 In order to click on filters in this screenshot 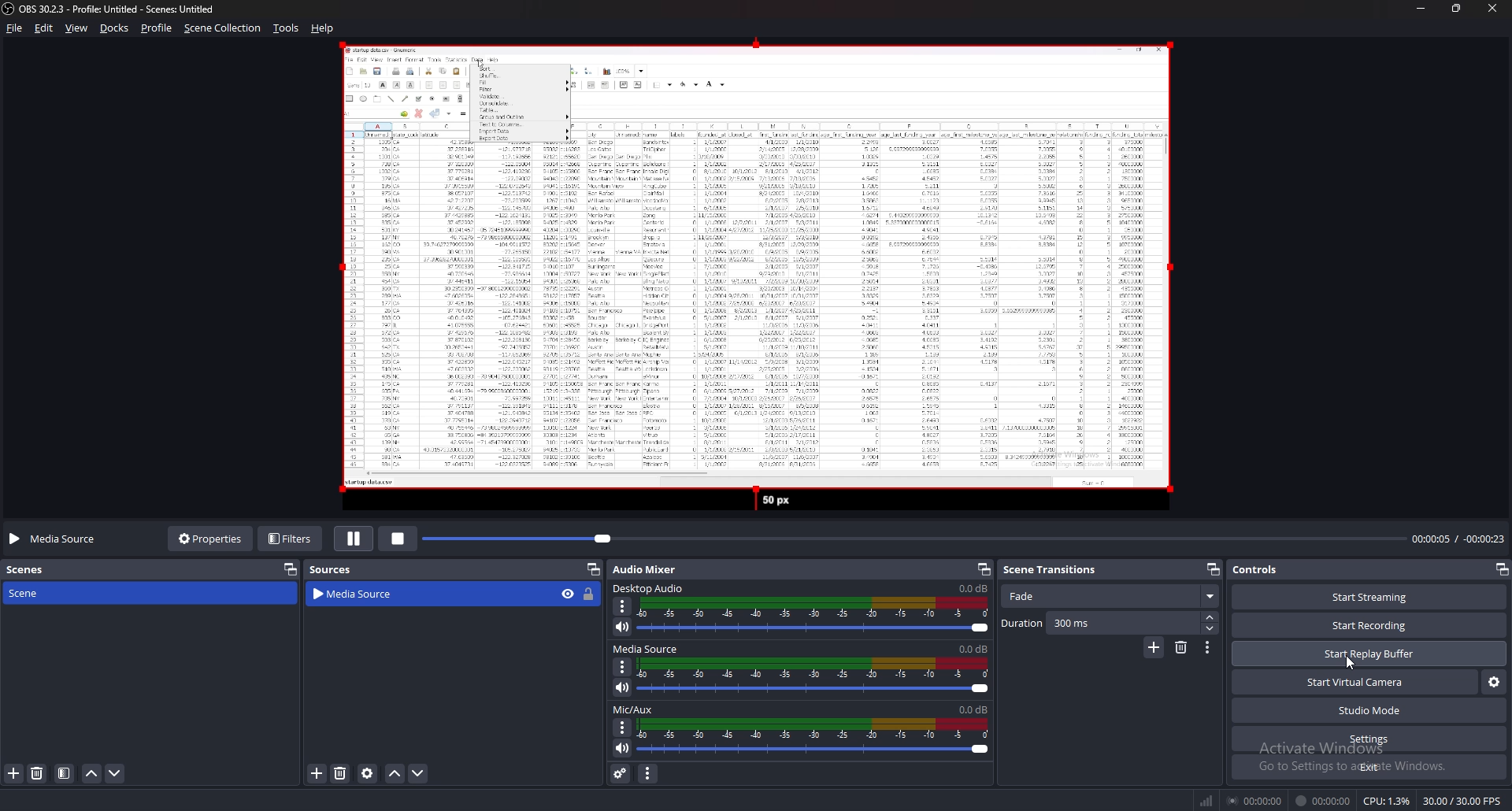, I will do `click(291, 539)`.